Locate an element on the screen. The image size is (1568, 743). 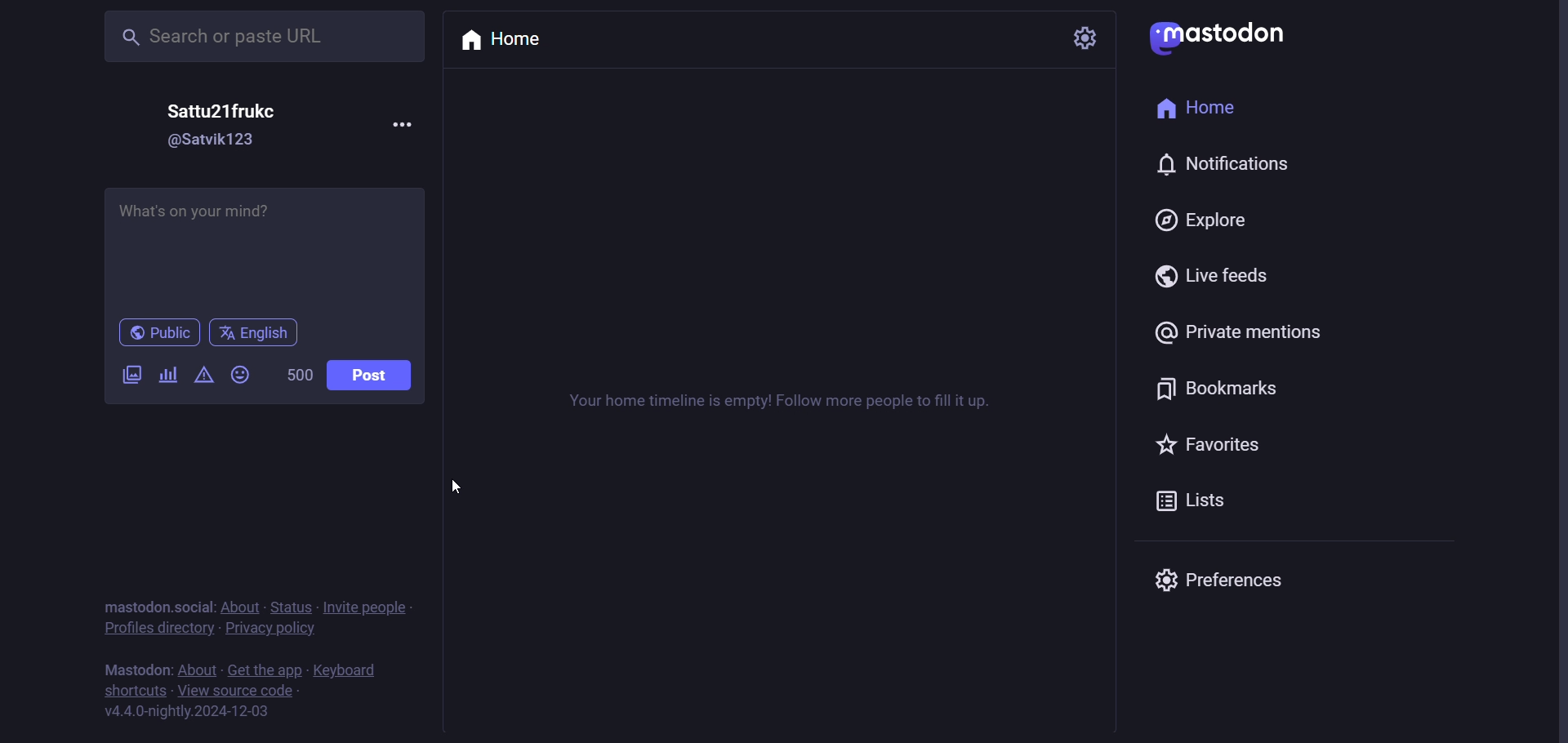
explore is located at coordinates (1196, 222).